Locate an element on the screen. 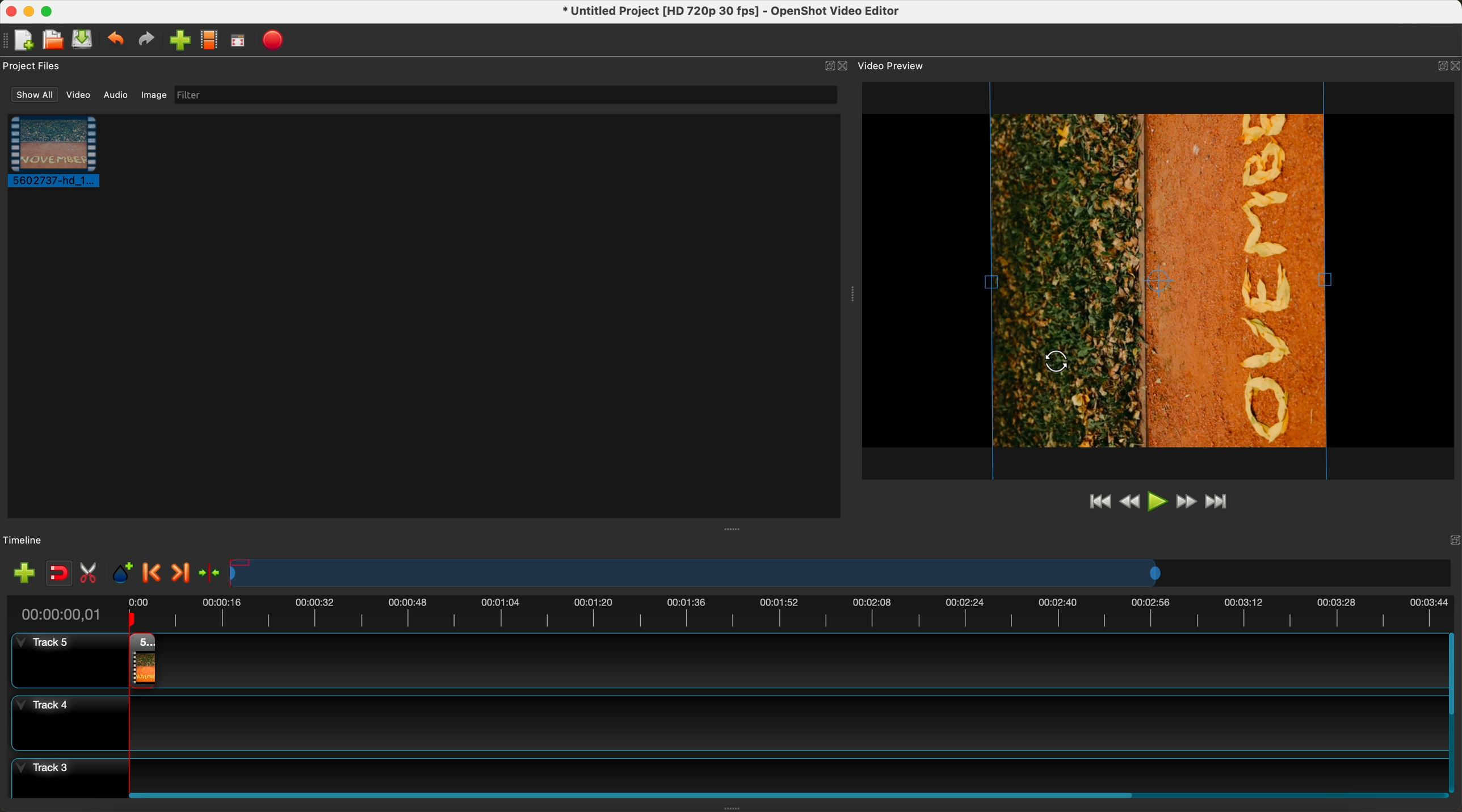  rewind is located at coordinates (1128, 504).